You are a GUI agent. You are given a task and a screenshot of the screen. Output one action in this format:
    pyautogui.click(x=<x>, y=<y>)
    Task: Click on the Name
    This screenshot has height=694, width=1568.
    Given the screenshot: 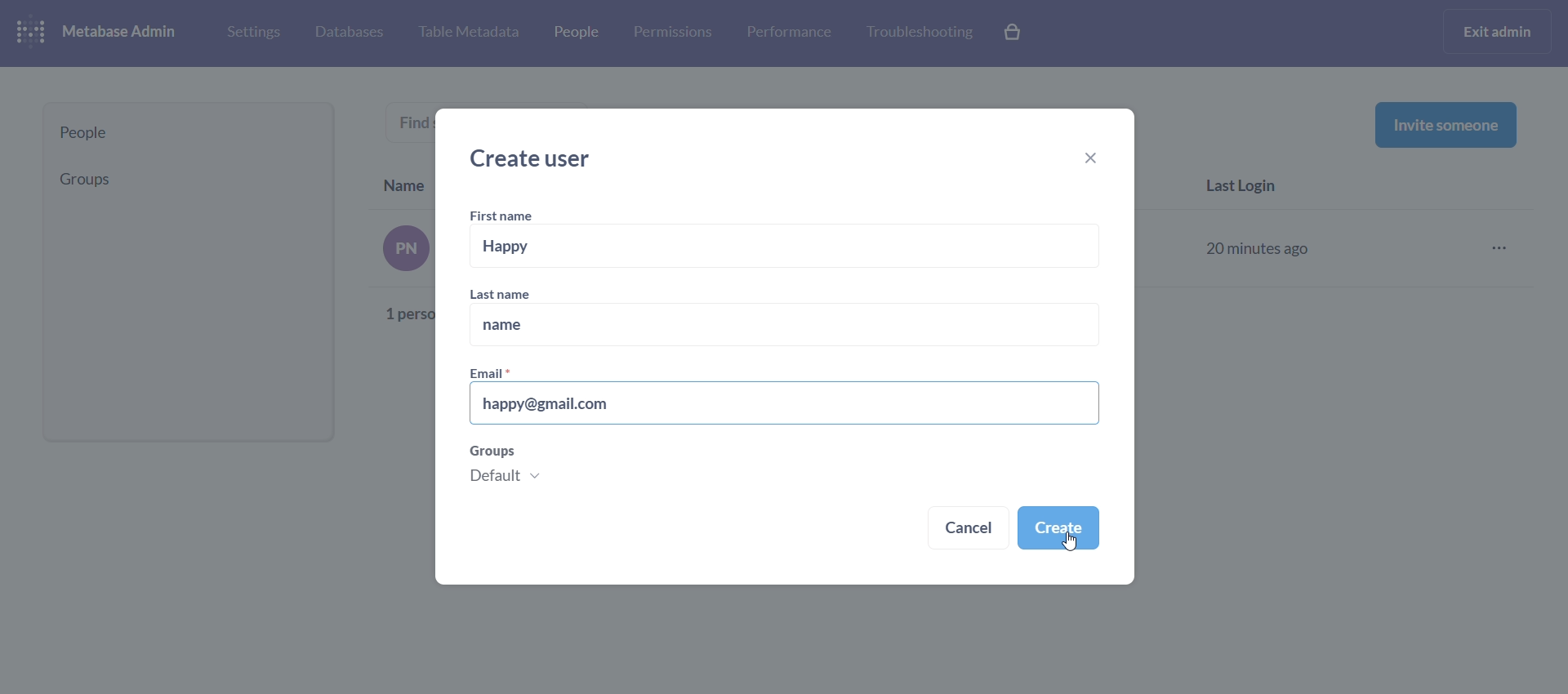 What is the action you would take?
    pyautogui.click(x=405, y=182)
    